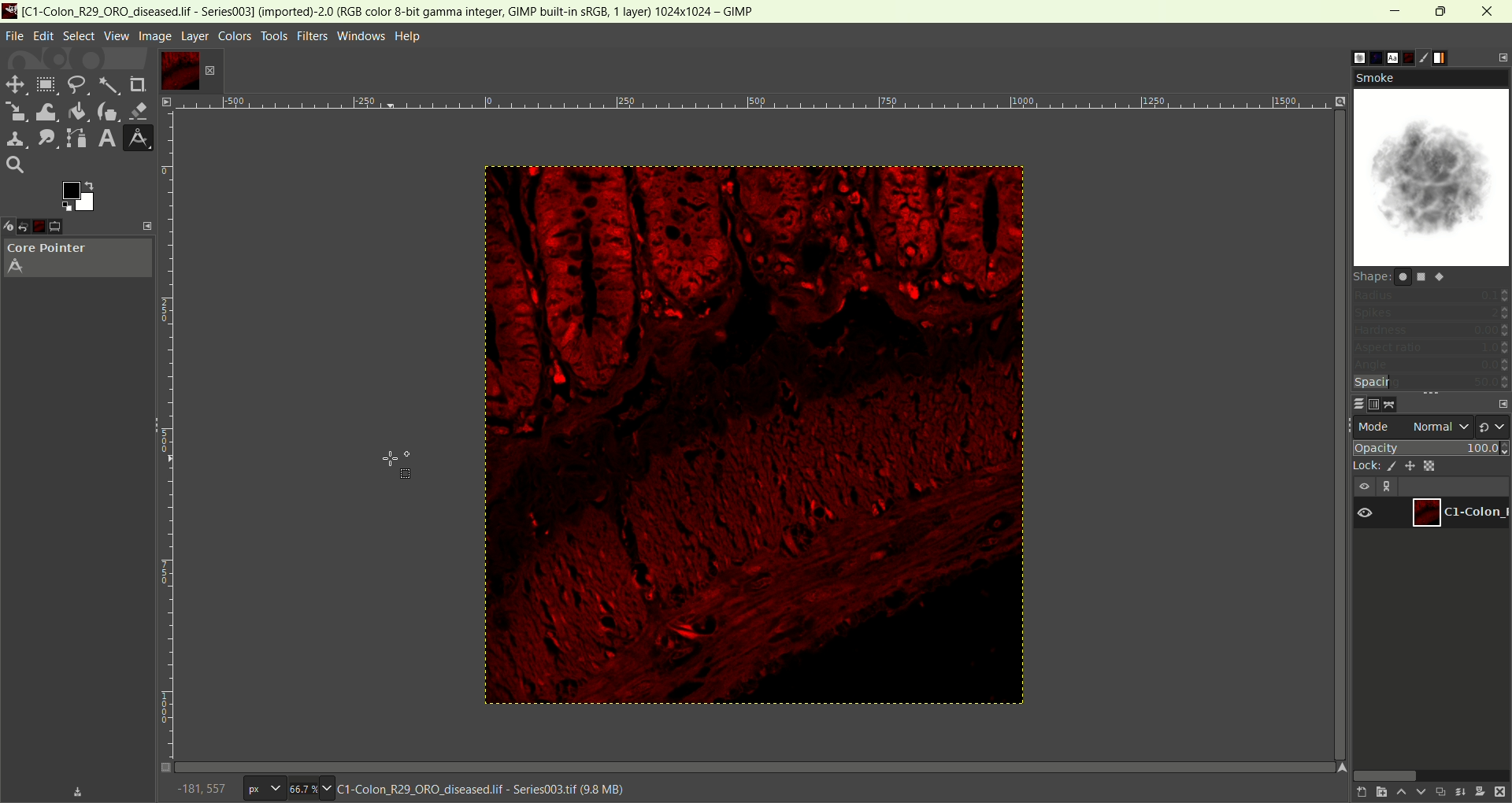  Describe the element at coordinates (78, 36) in the screenshot. I see `select` at that location.